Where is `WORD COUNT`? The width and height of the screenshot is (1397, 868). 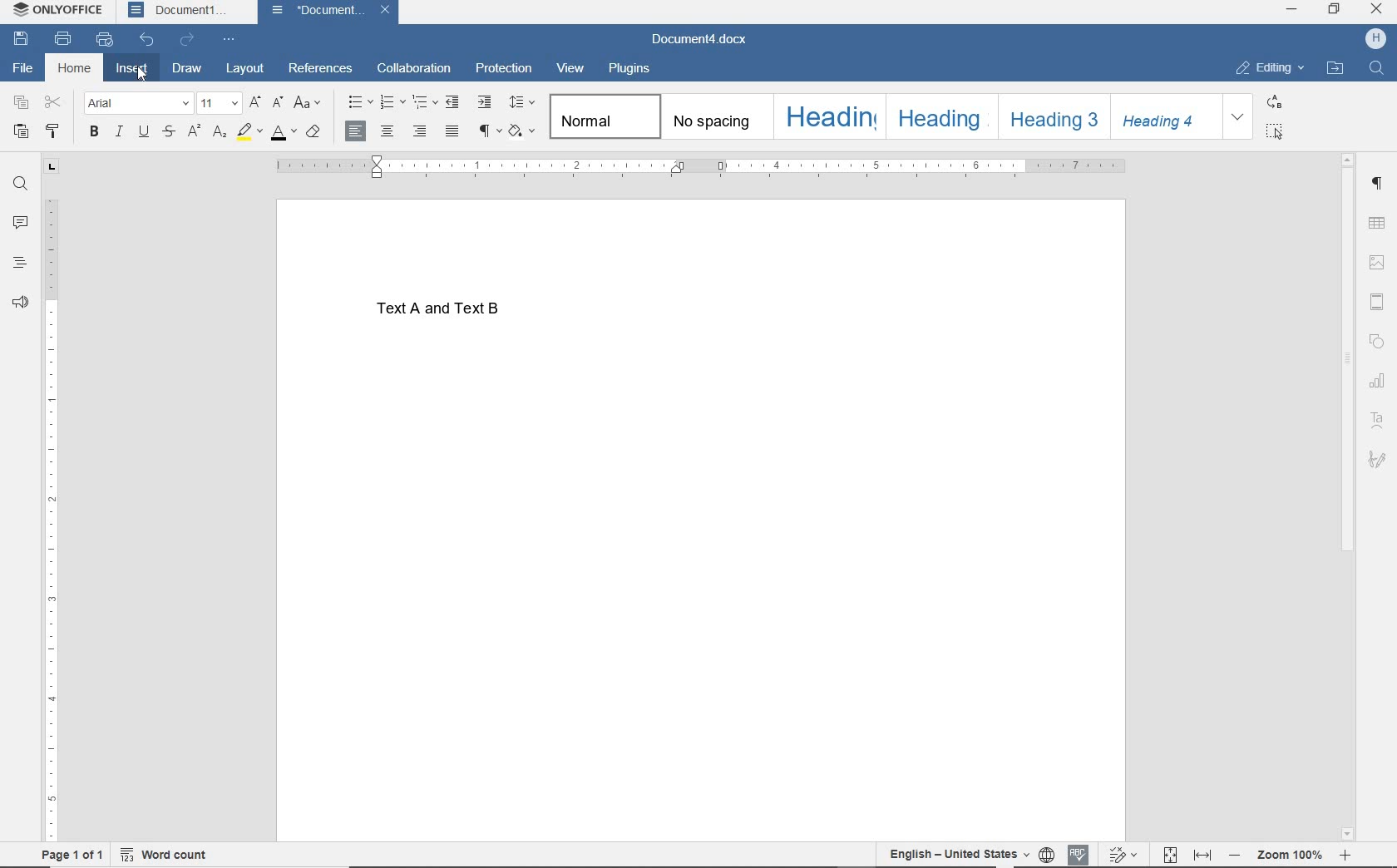 WORD COUNT is located at coordinates (173, 852).